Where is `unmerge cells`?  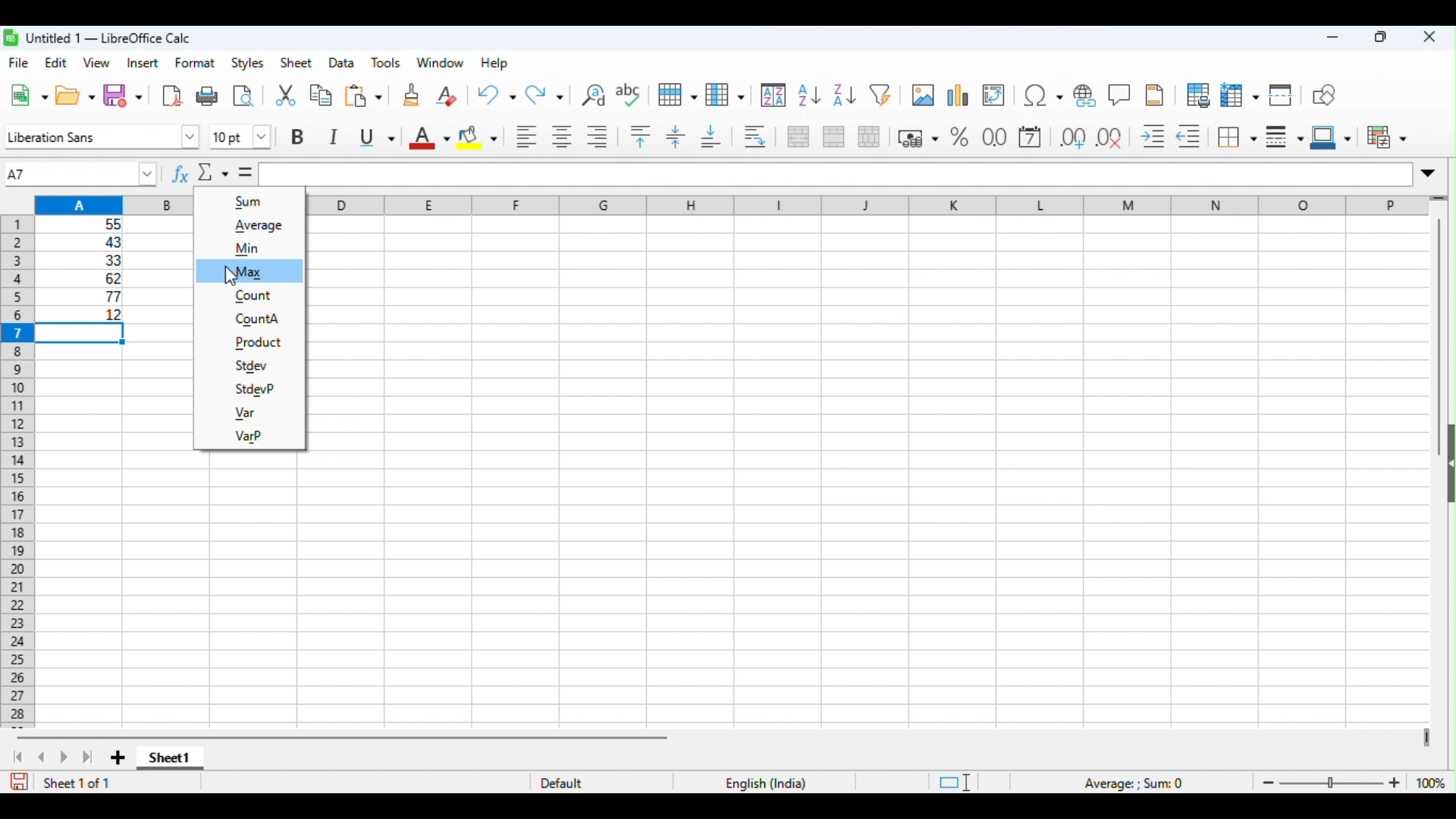
unmerge cells is located at coordinates (869, 137).